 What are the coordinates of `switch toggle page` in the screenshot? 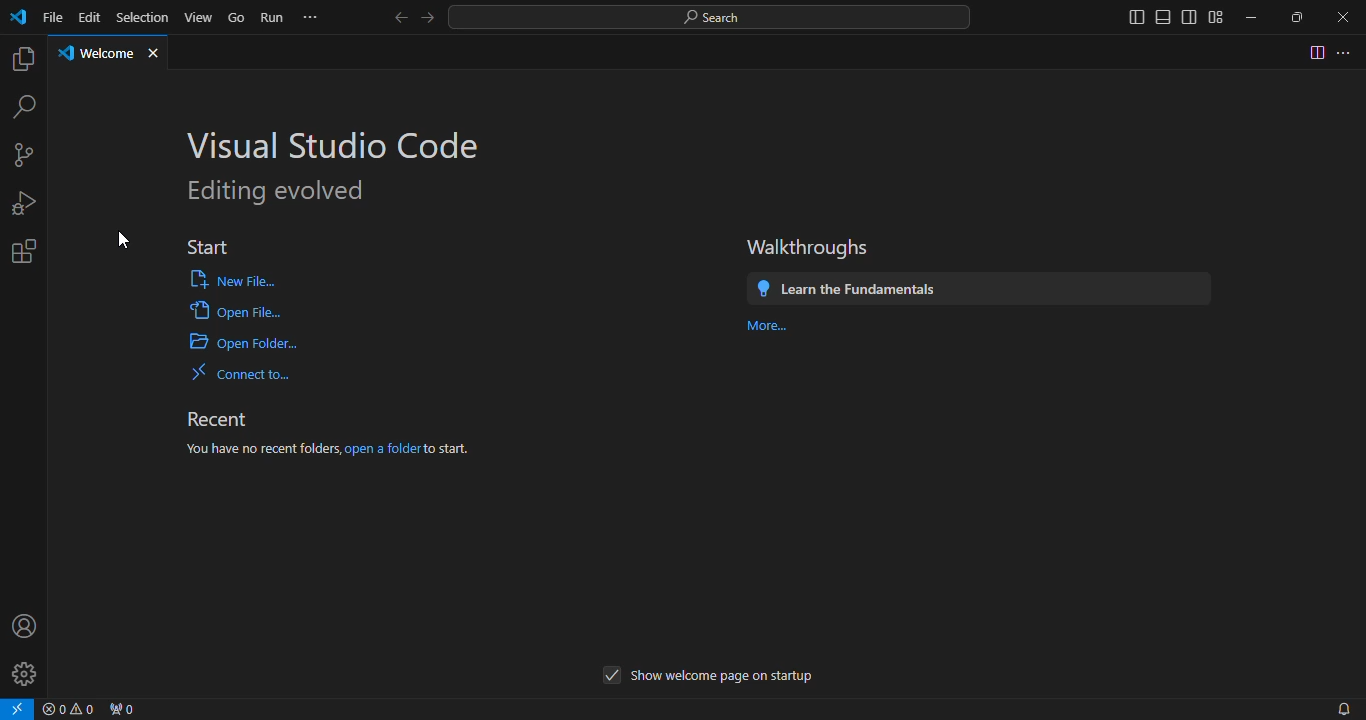 It's located at (1315, 52).